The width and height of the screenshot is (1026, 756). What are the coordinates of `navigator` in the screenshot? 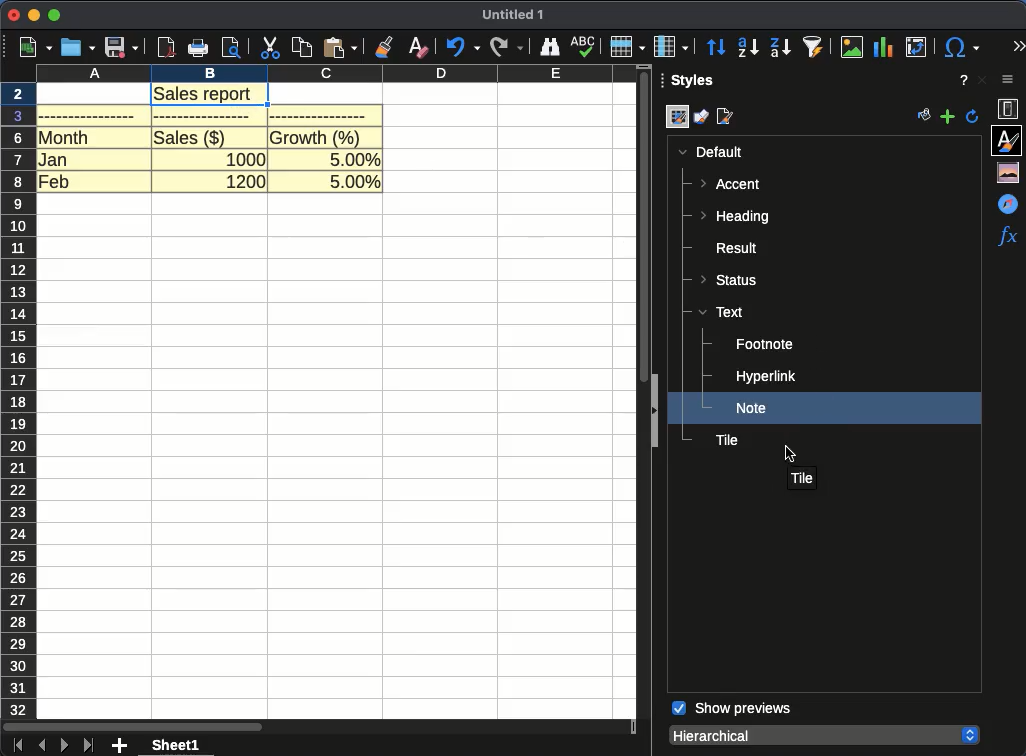 It's located at (1011, 203).